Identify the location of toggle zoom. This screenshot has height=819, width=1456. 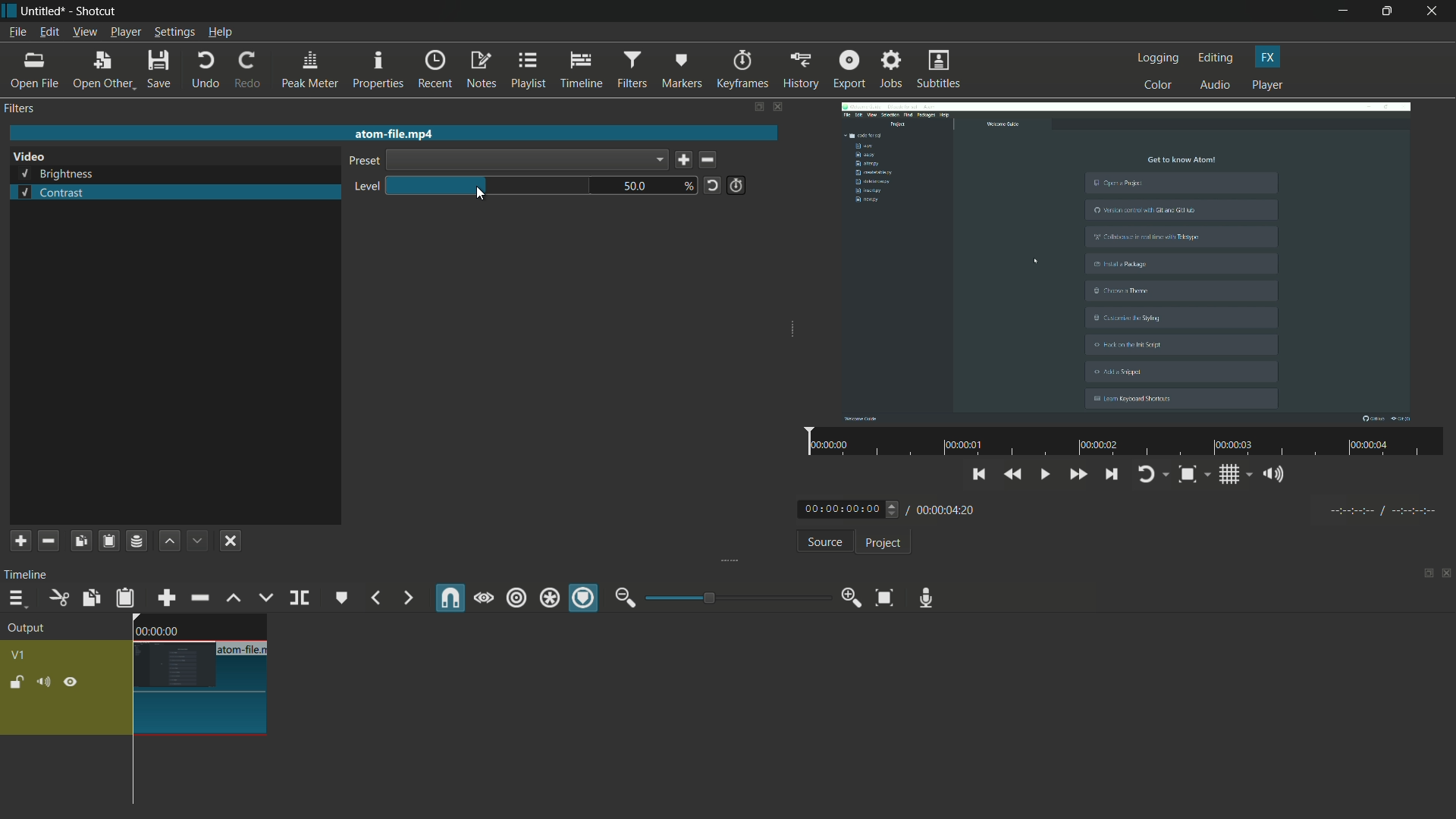
(1193, 475).